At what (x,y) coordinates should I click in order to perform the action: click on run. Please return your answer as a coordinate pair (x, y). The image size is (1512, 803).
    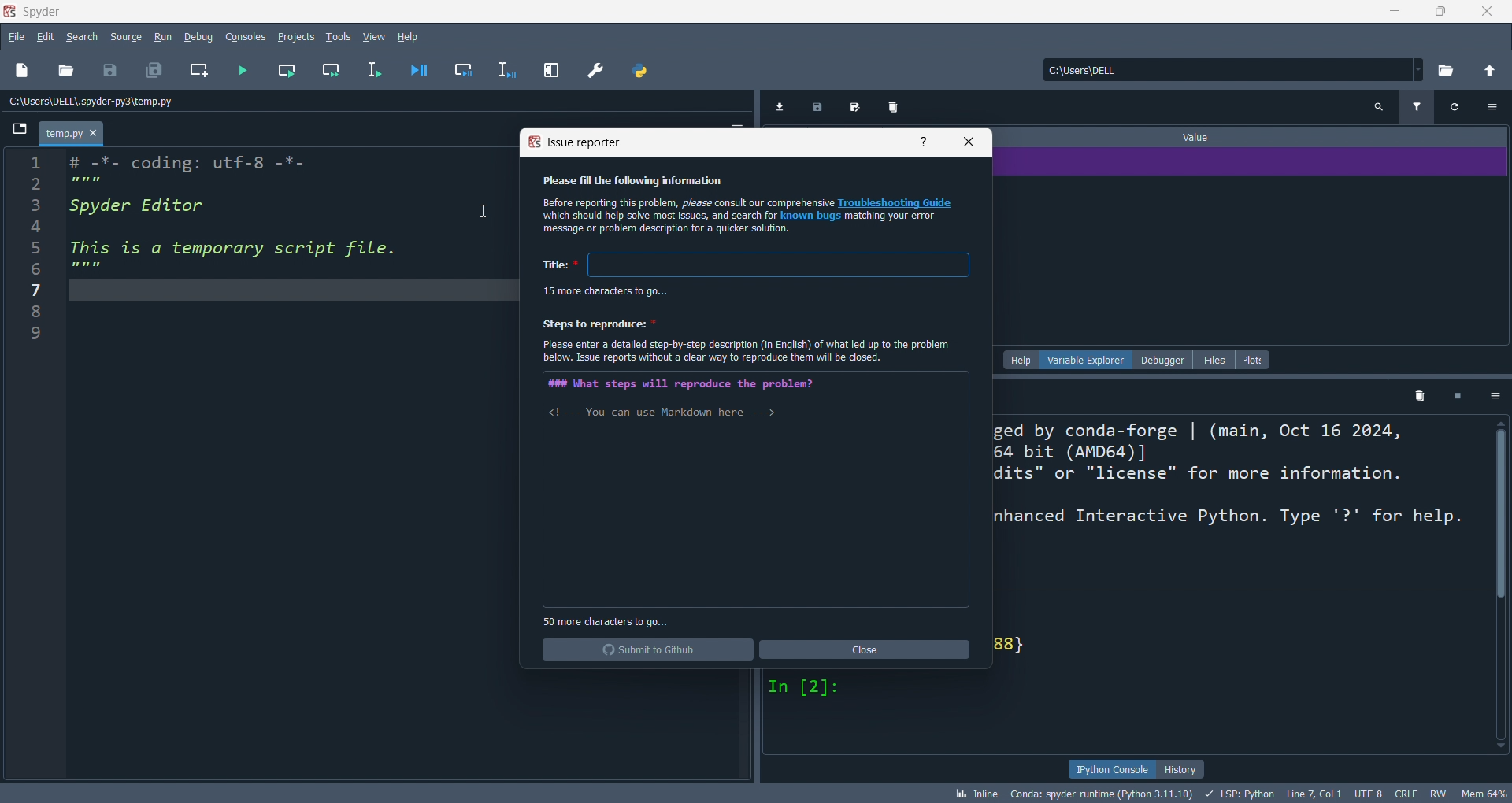
    Looking at the image, I should click on (161, 37).